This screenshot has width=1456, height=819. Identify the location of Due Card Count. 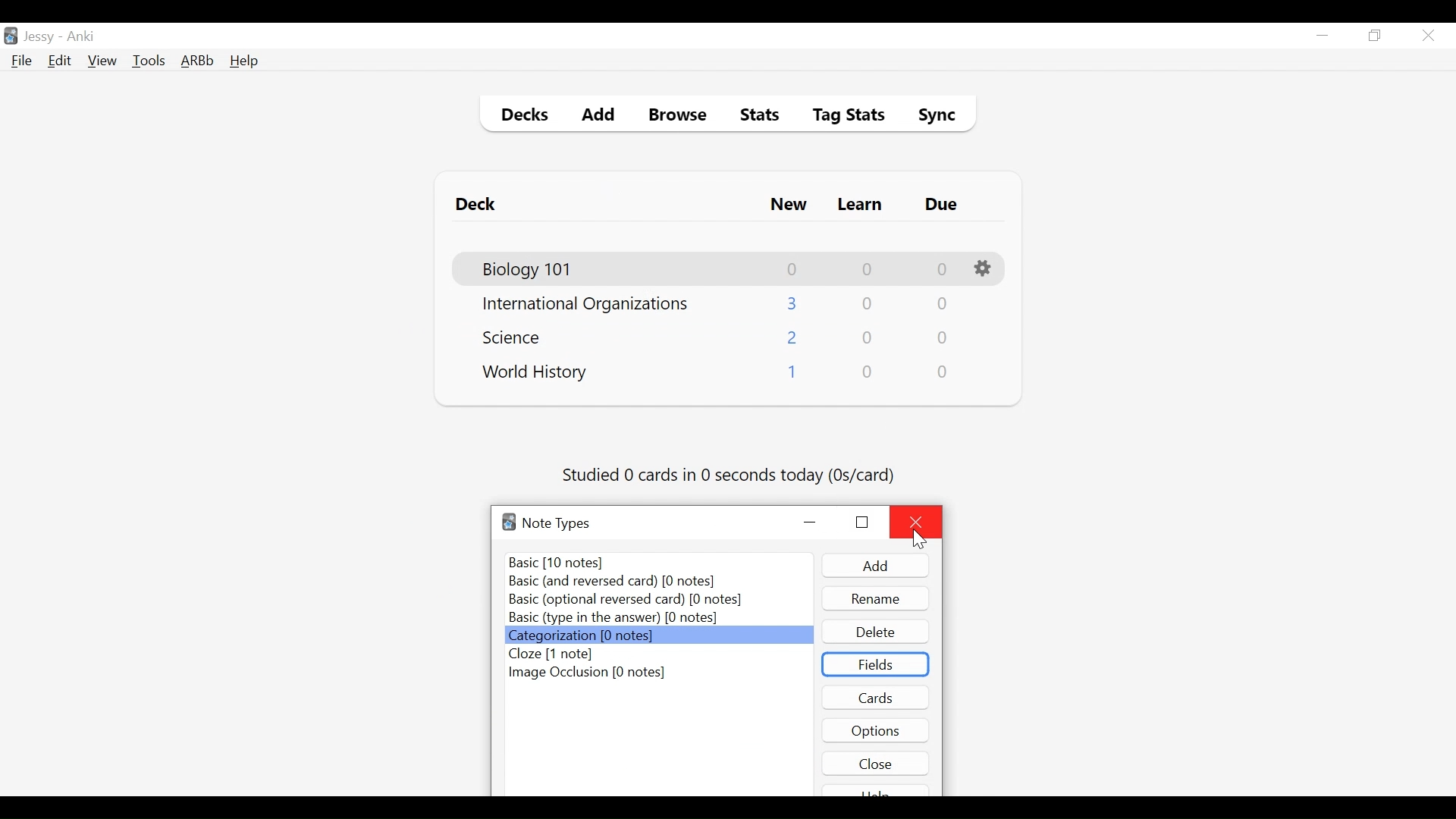
(943, 339).